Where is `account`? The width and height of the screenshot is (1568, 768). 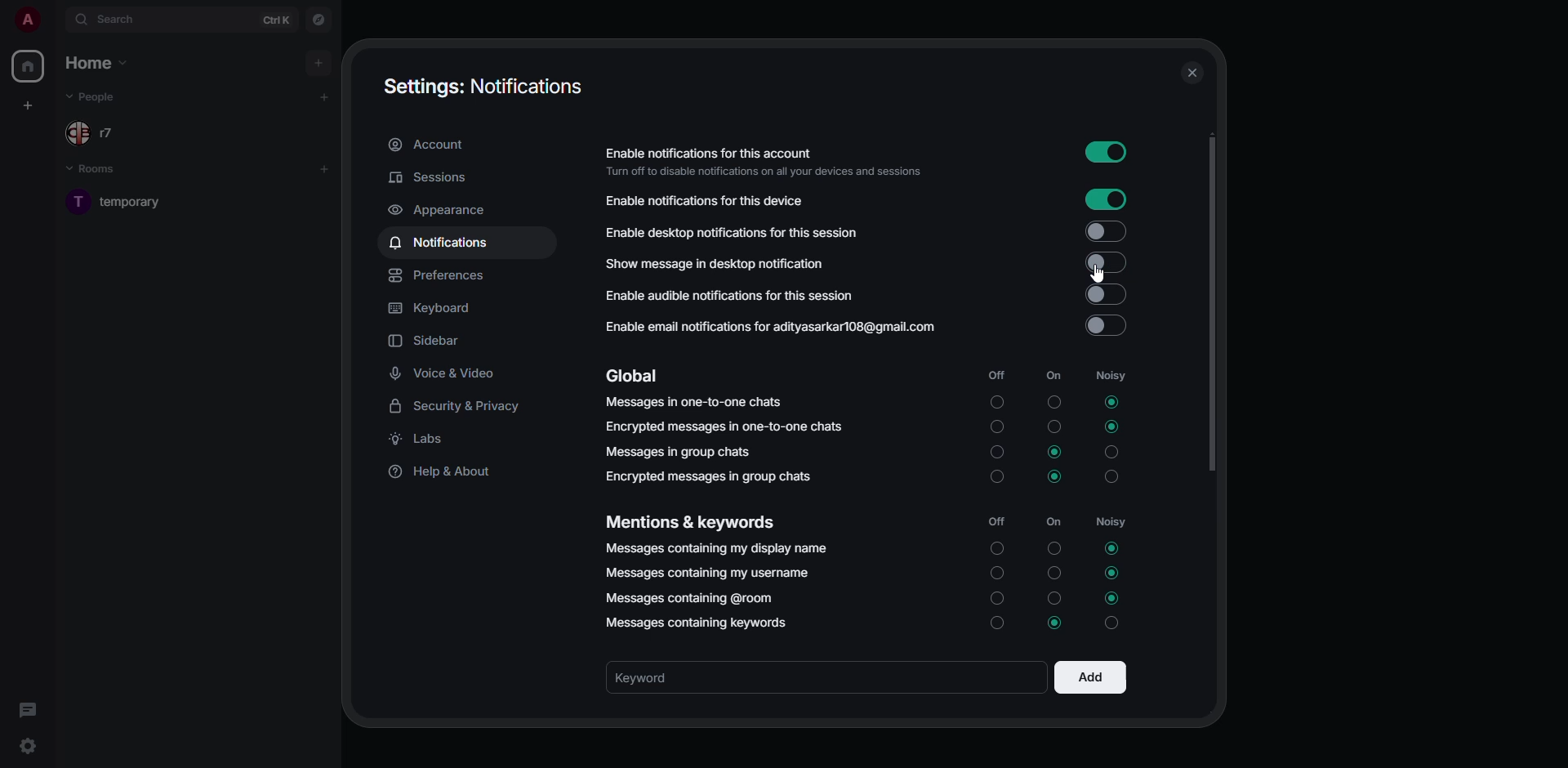 account is located at coordinates (430, 144).